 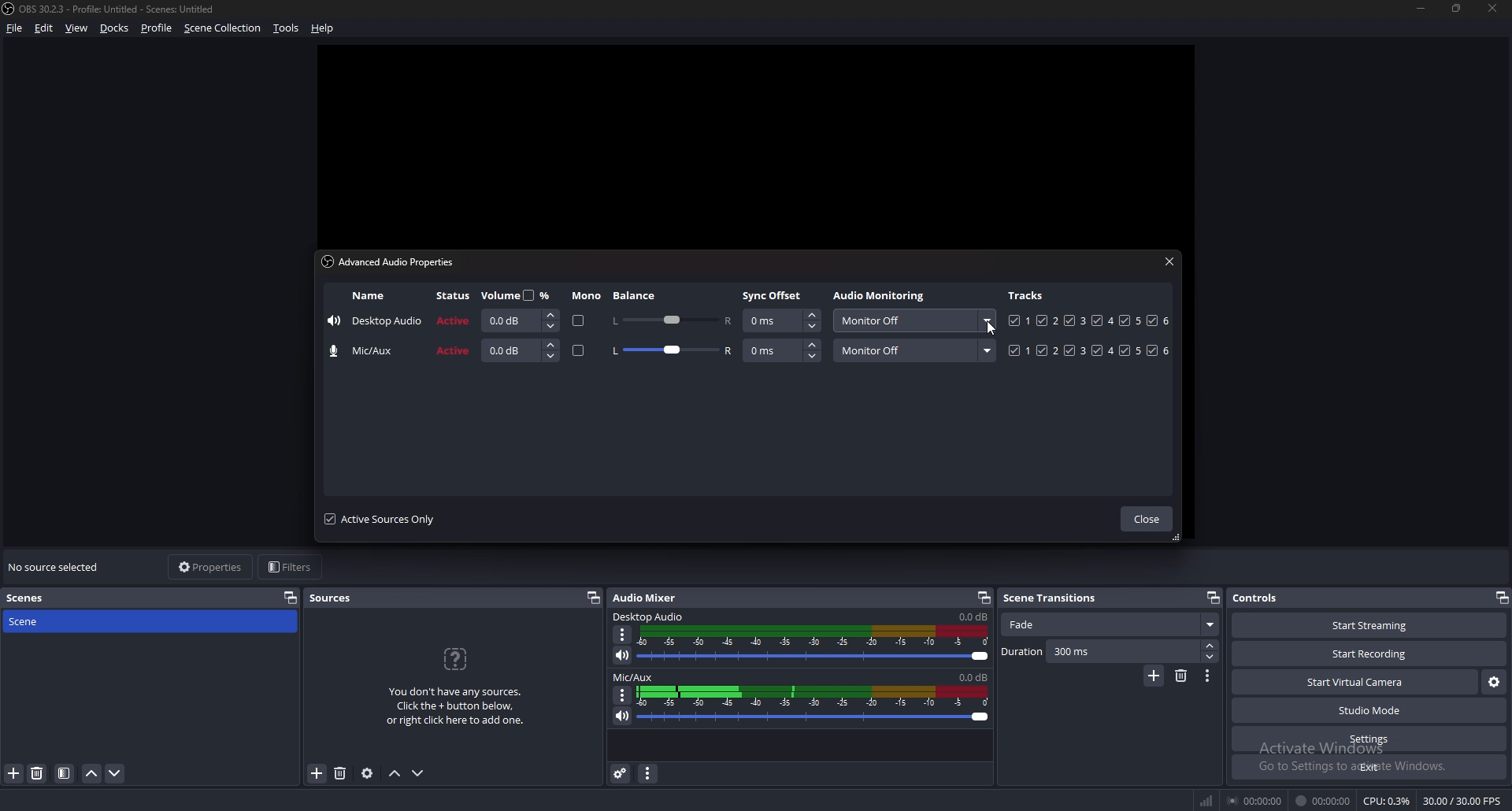 What do you see at coordinates (634, 678) in the screenshot?
I see `mic/aux` at bounding box center [634, 678].